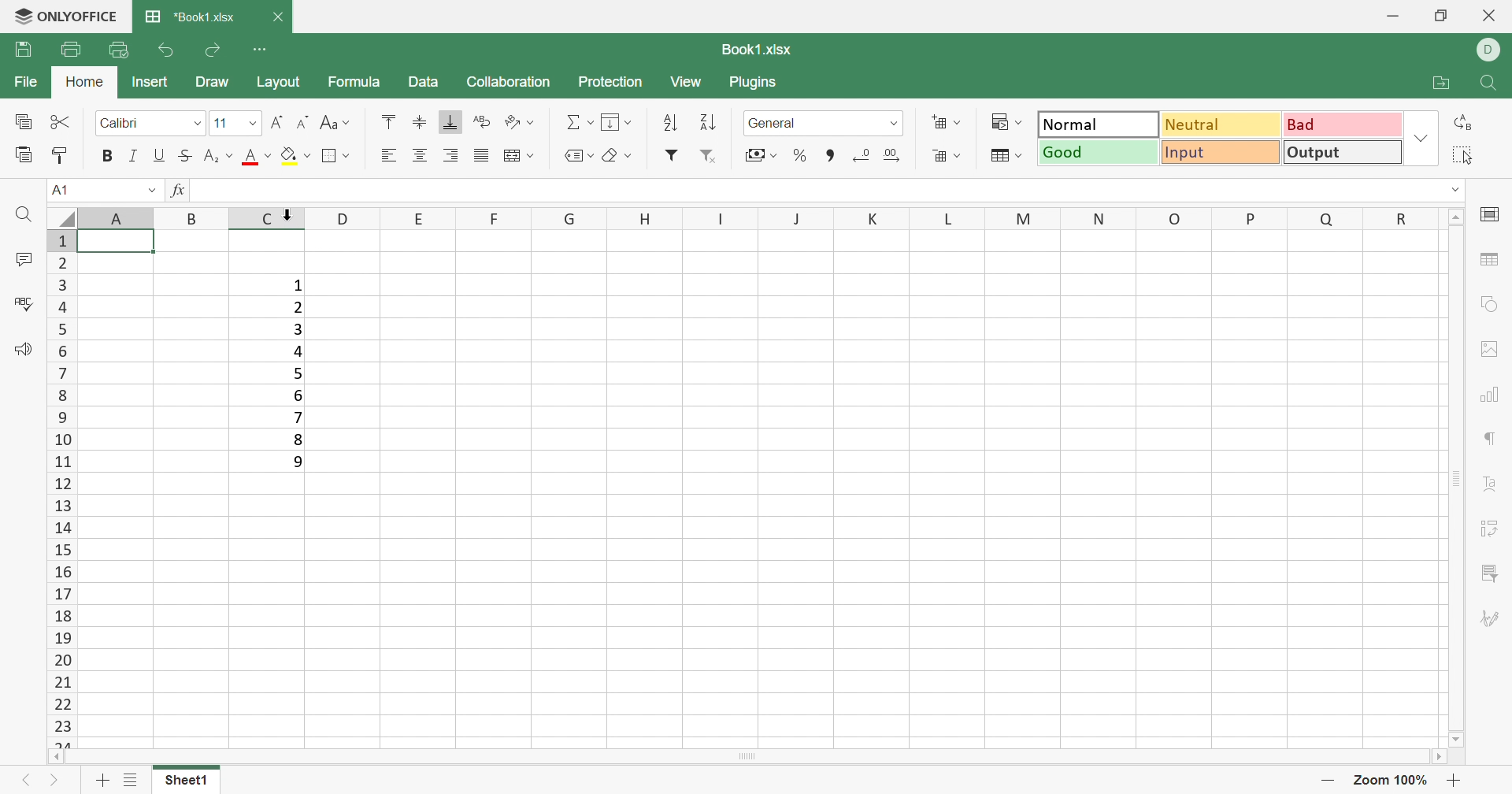 This screenshot has height=794, width=1512. What do you see at coordinates (1492, 50) in the screenshot?
I see `D` at bounding box center [1492, 50].